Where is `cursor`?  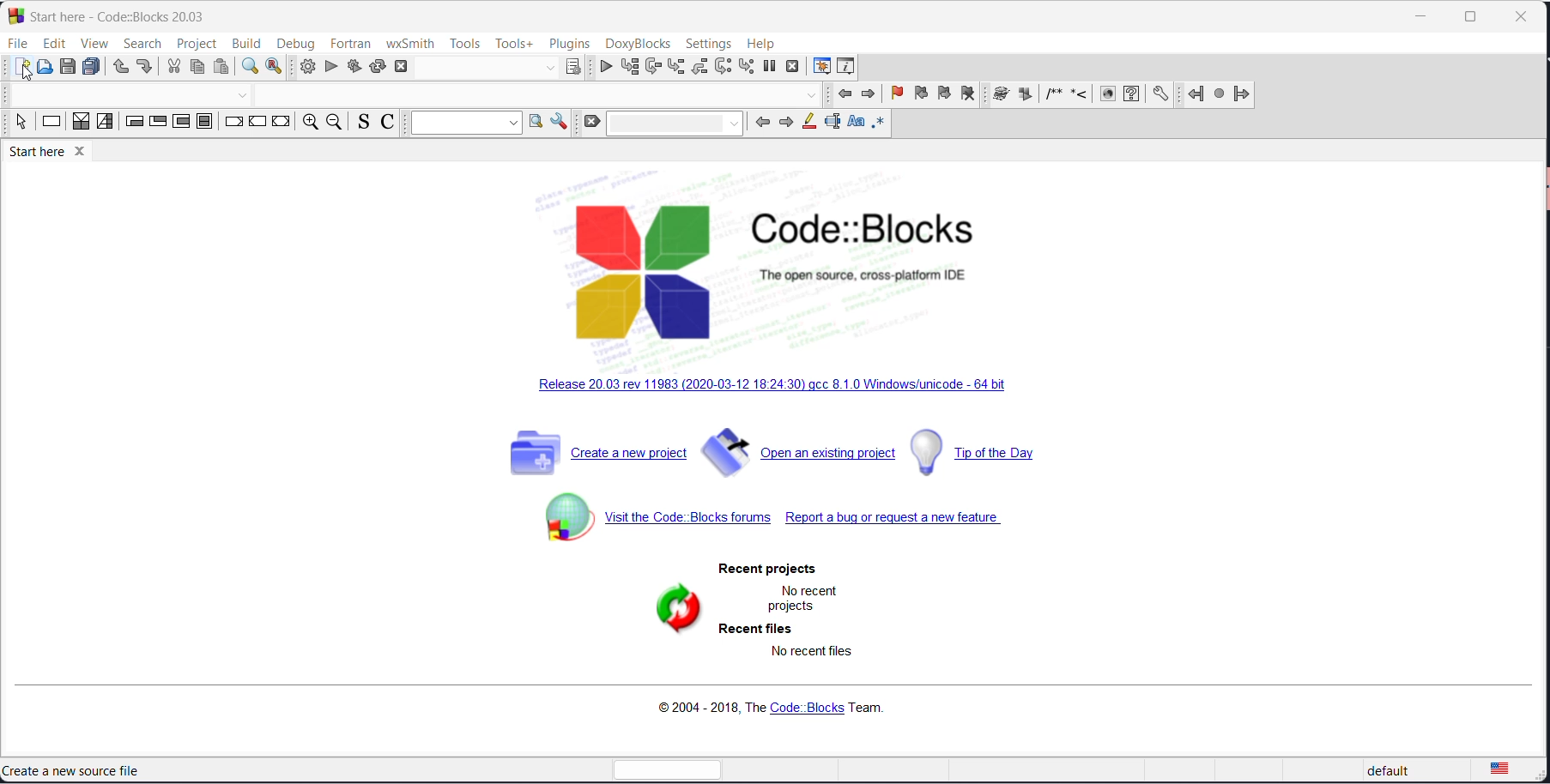
cursor is located at coordinates (23, 75).